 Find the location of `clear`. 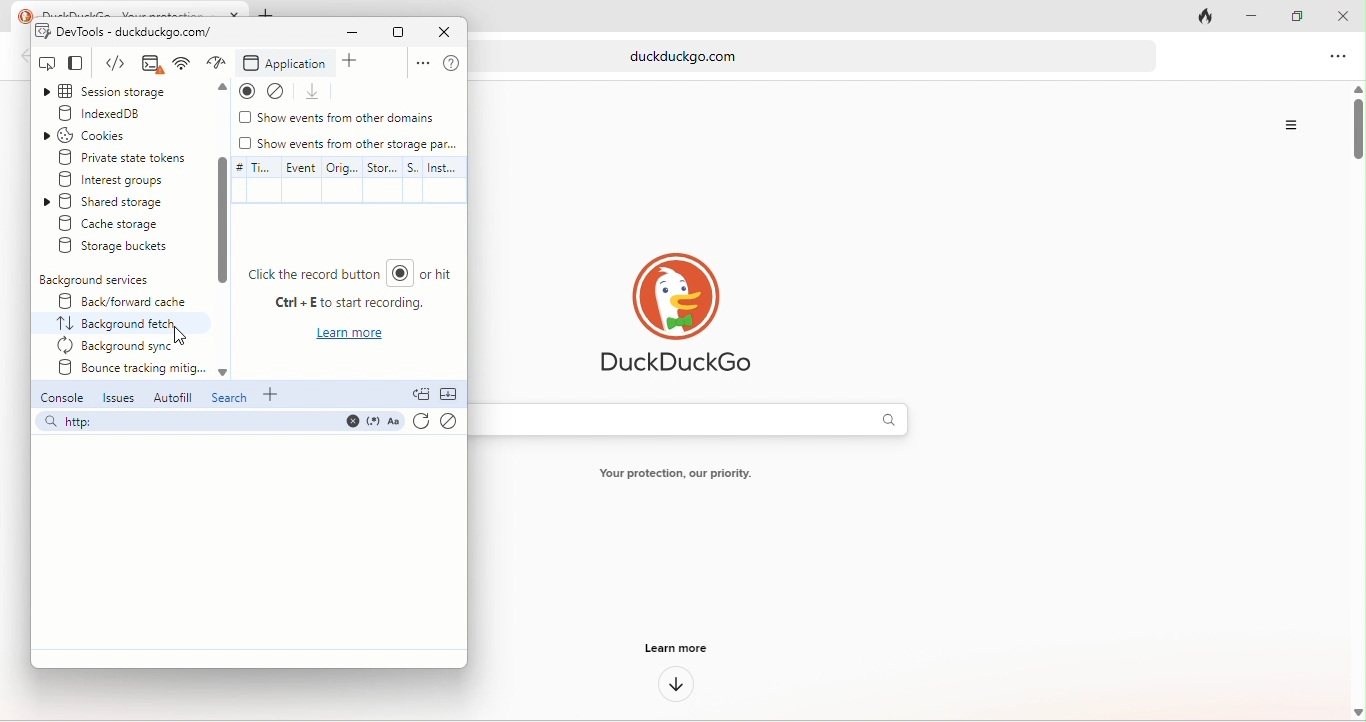

clear is located at coordinates (450, 423).